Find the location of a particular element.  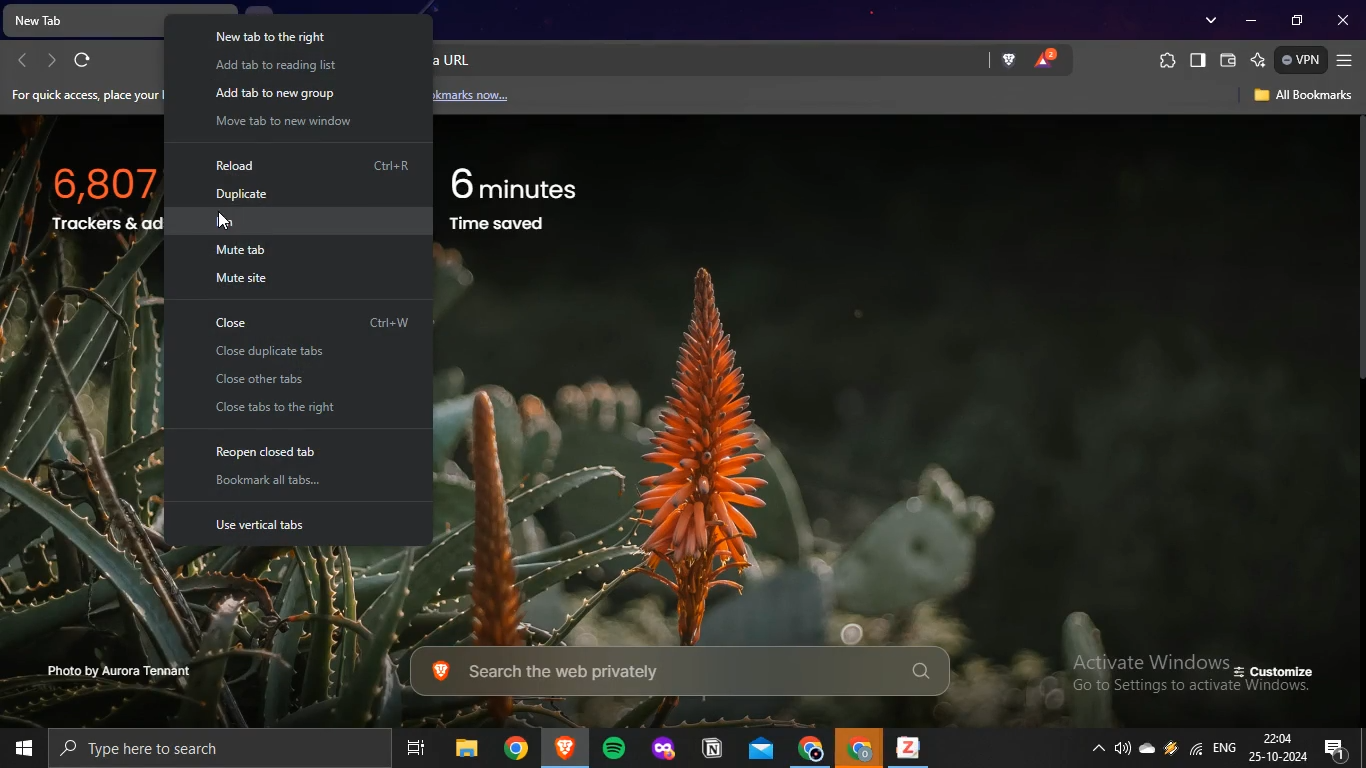

close is located at coordinates (252, 322).